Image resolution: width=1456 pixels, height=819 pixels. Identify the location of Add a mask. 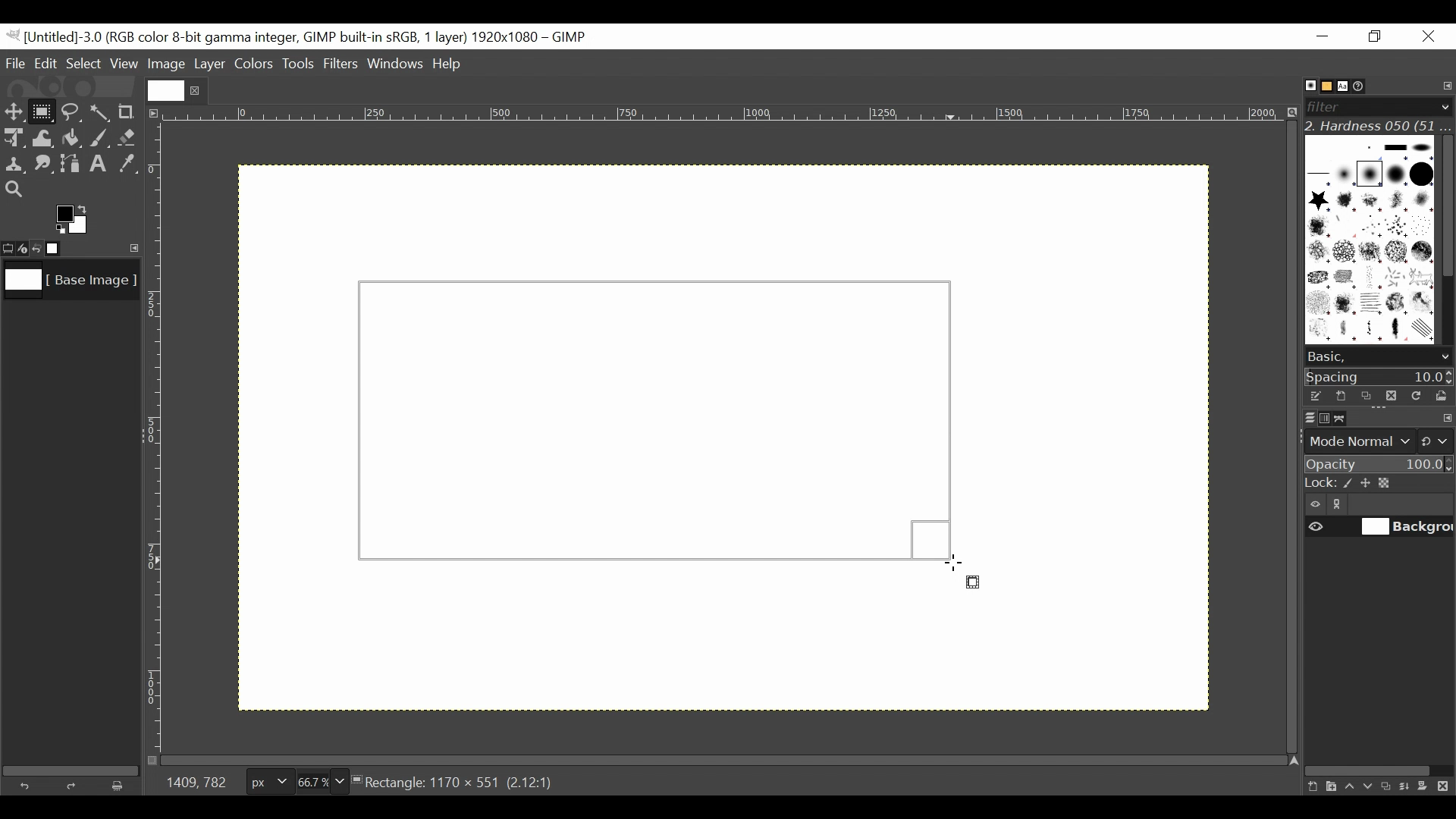
(1427, 789).